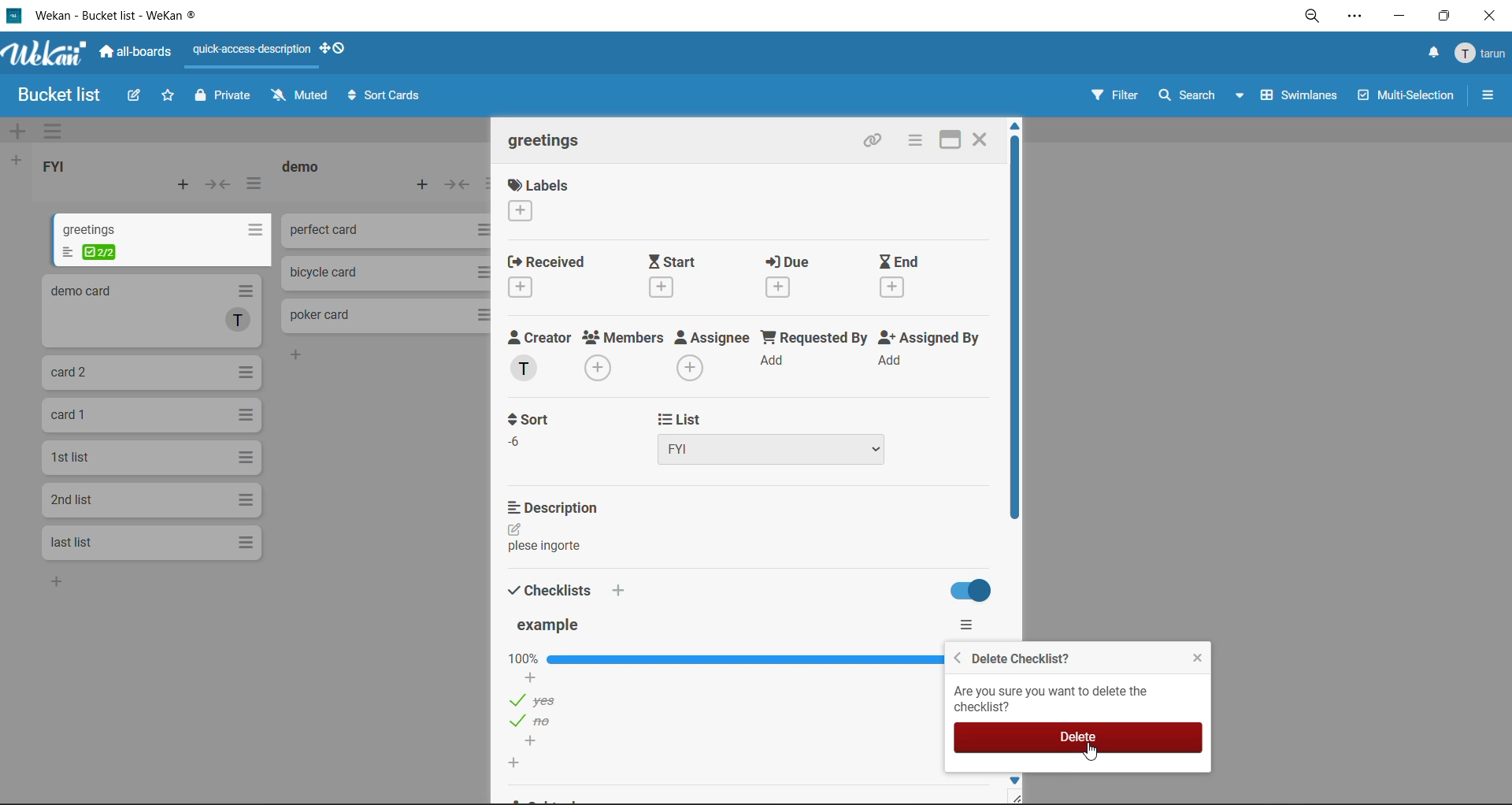 The height and width of the screenshot is (805, 1512). Describe the element at coordinates (522, 677) in the screenshot. I see `add checklist options` at that location.